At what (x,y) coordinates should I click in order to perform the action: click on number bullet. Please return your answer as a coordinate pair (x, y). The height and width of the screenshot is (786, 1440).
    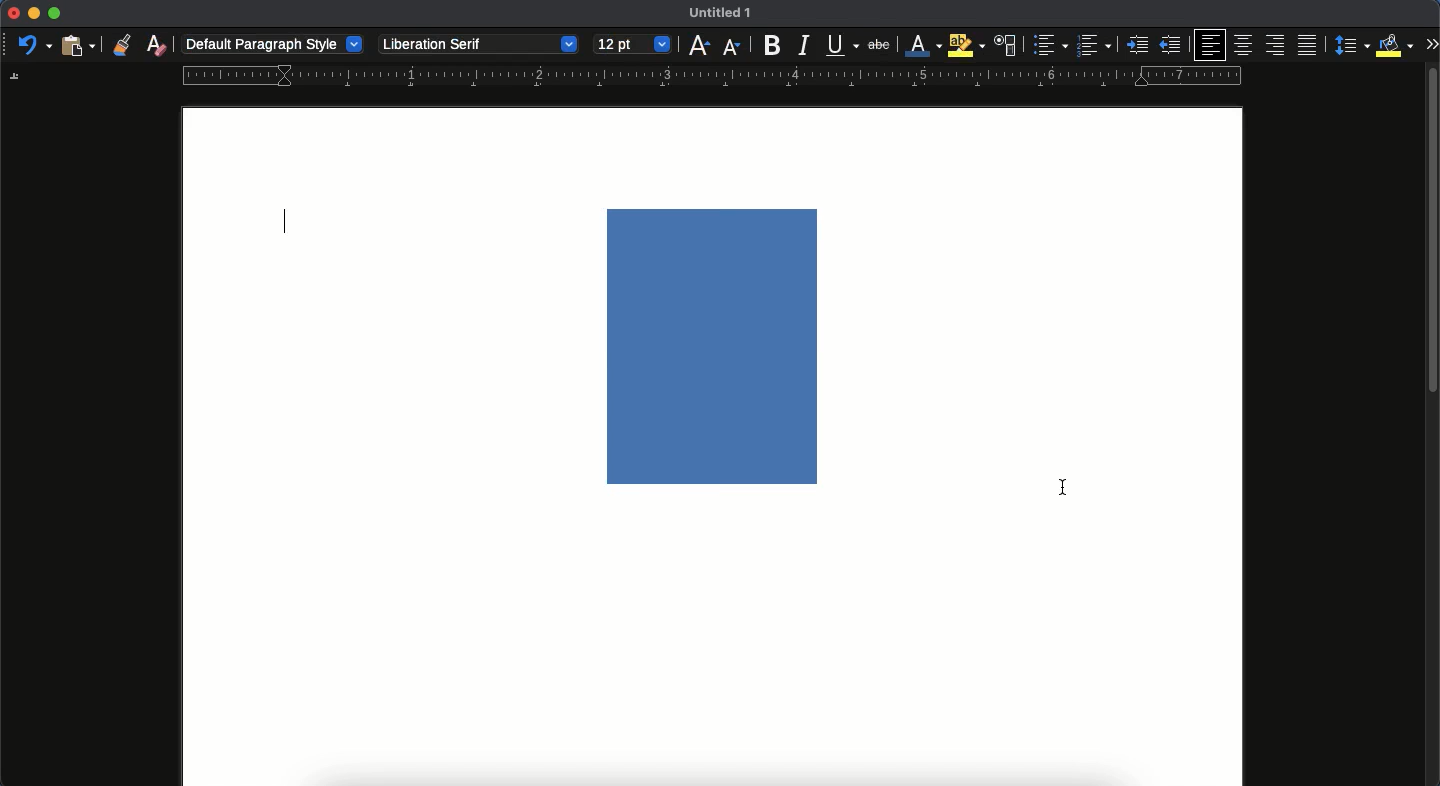
    Looking at the image, I should click on (1093, 46).